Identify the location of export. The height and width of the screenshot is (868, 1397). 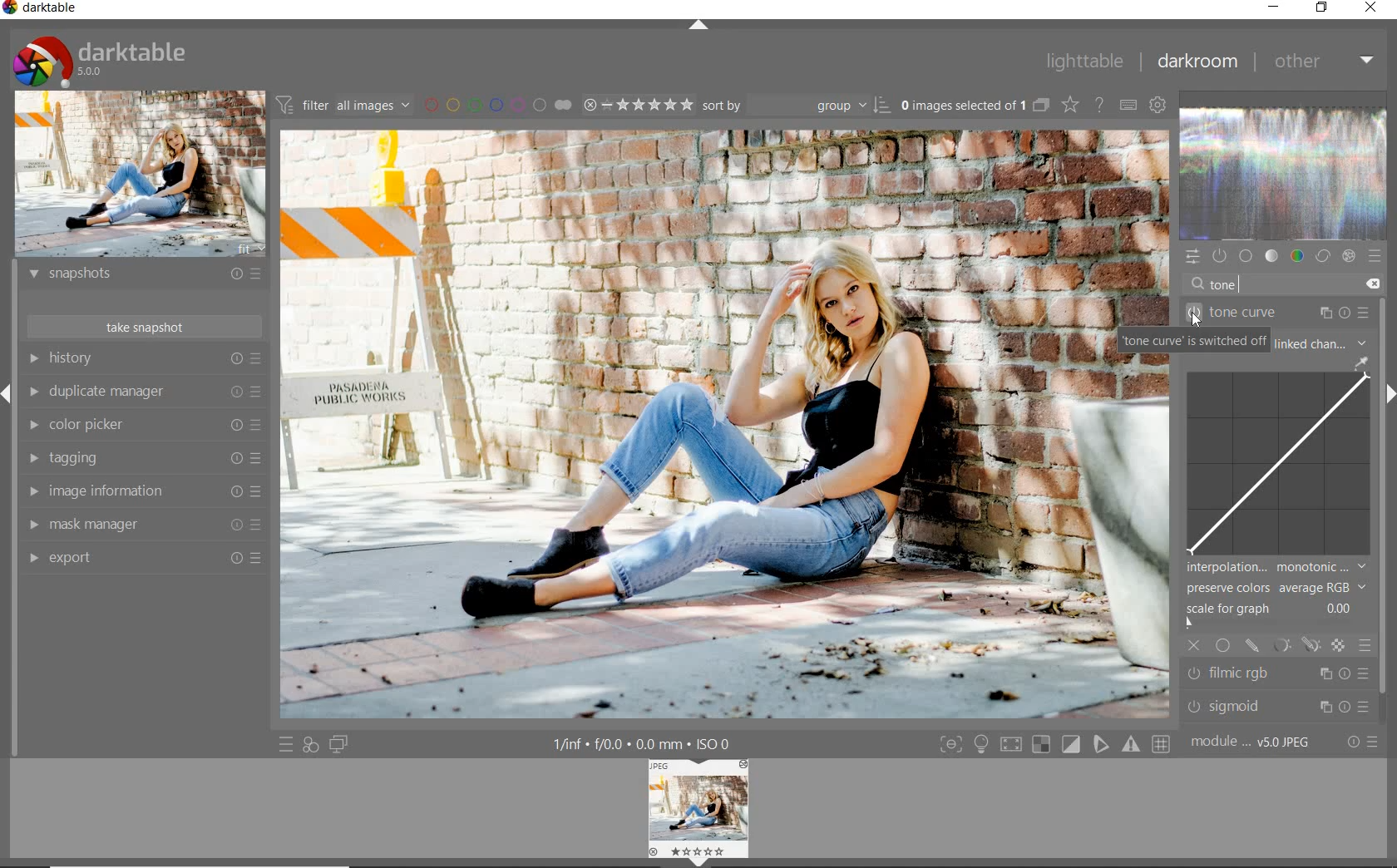
(141, 557).